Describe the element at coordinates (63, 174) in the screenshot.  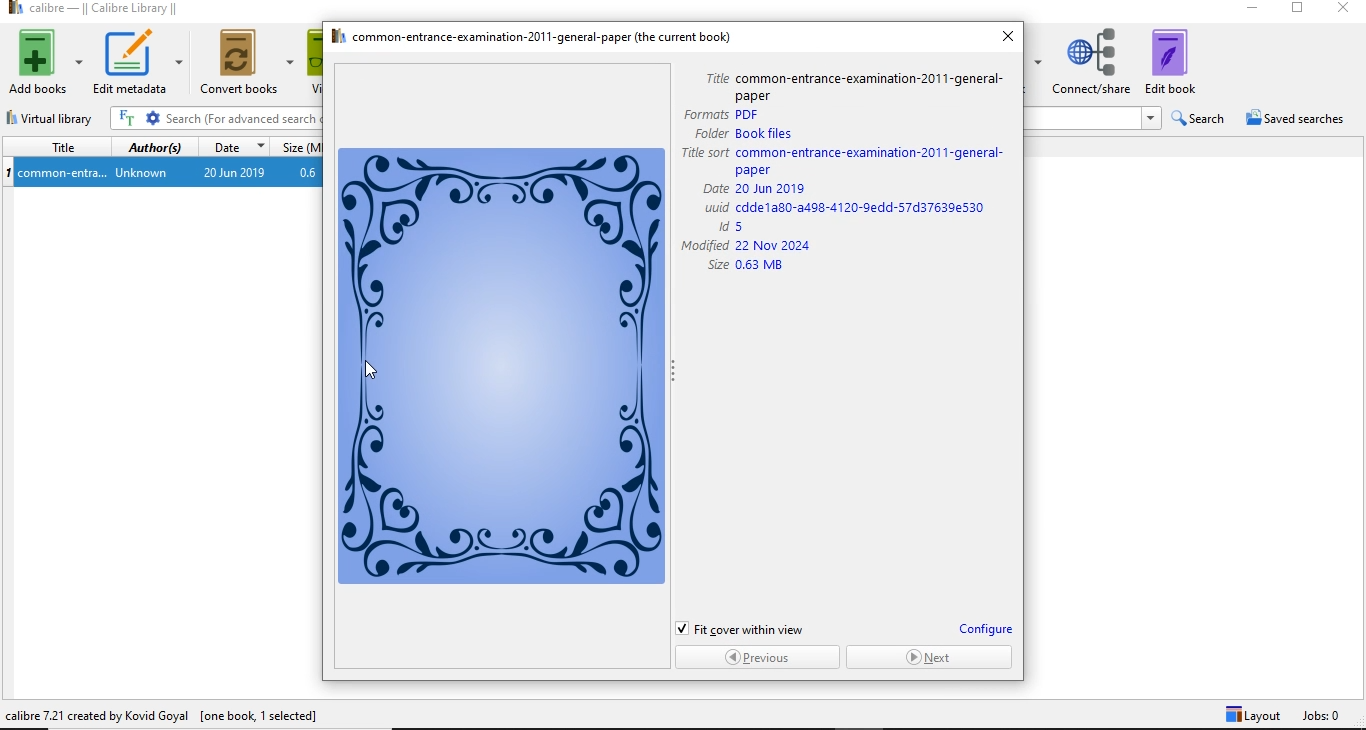
I see `common-entra...` at that location.